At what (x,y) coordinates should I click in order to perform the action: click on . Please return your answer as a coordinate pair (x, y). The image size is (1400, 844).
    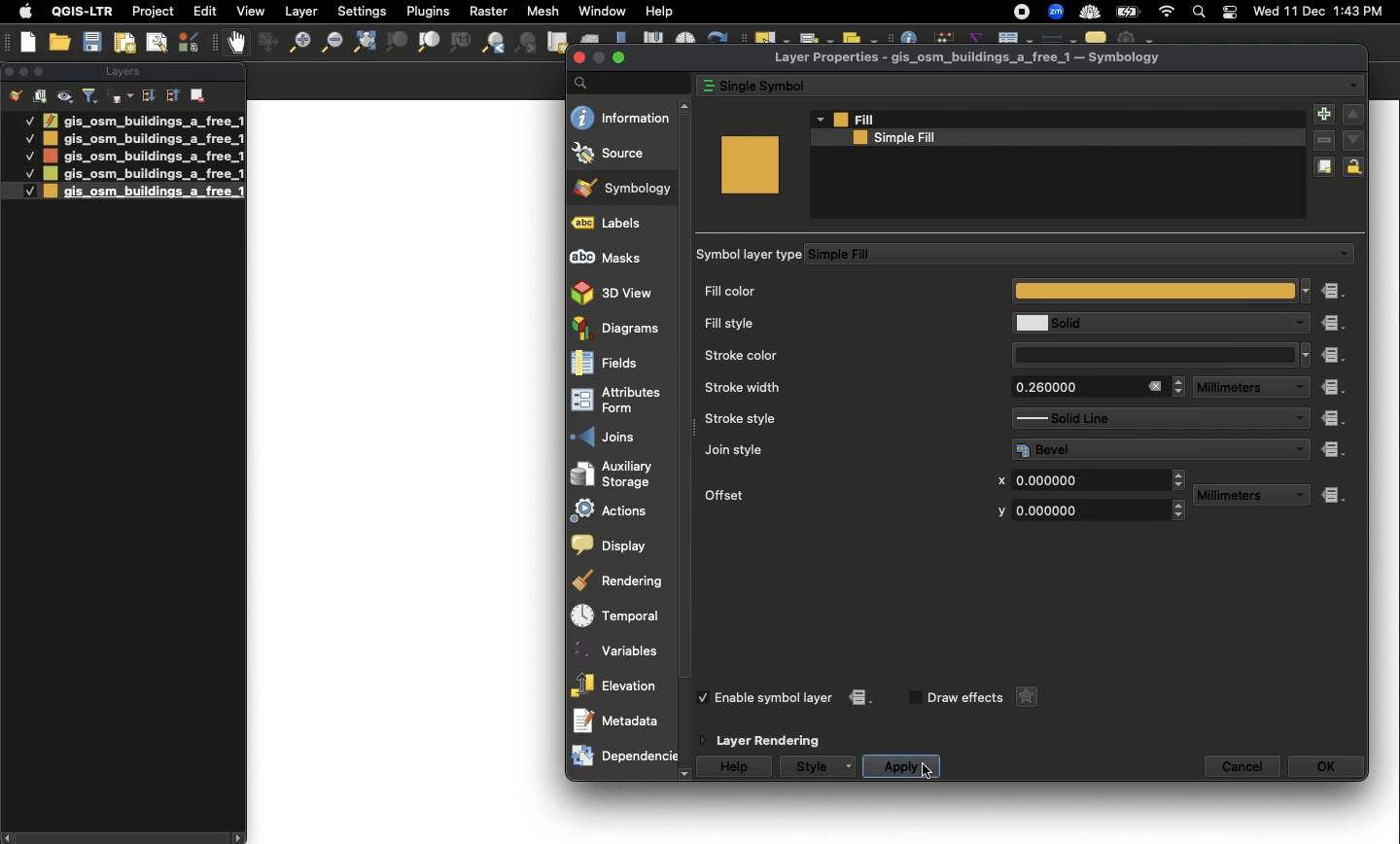
    Looking at the image, I should click on (1335, 325).